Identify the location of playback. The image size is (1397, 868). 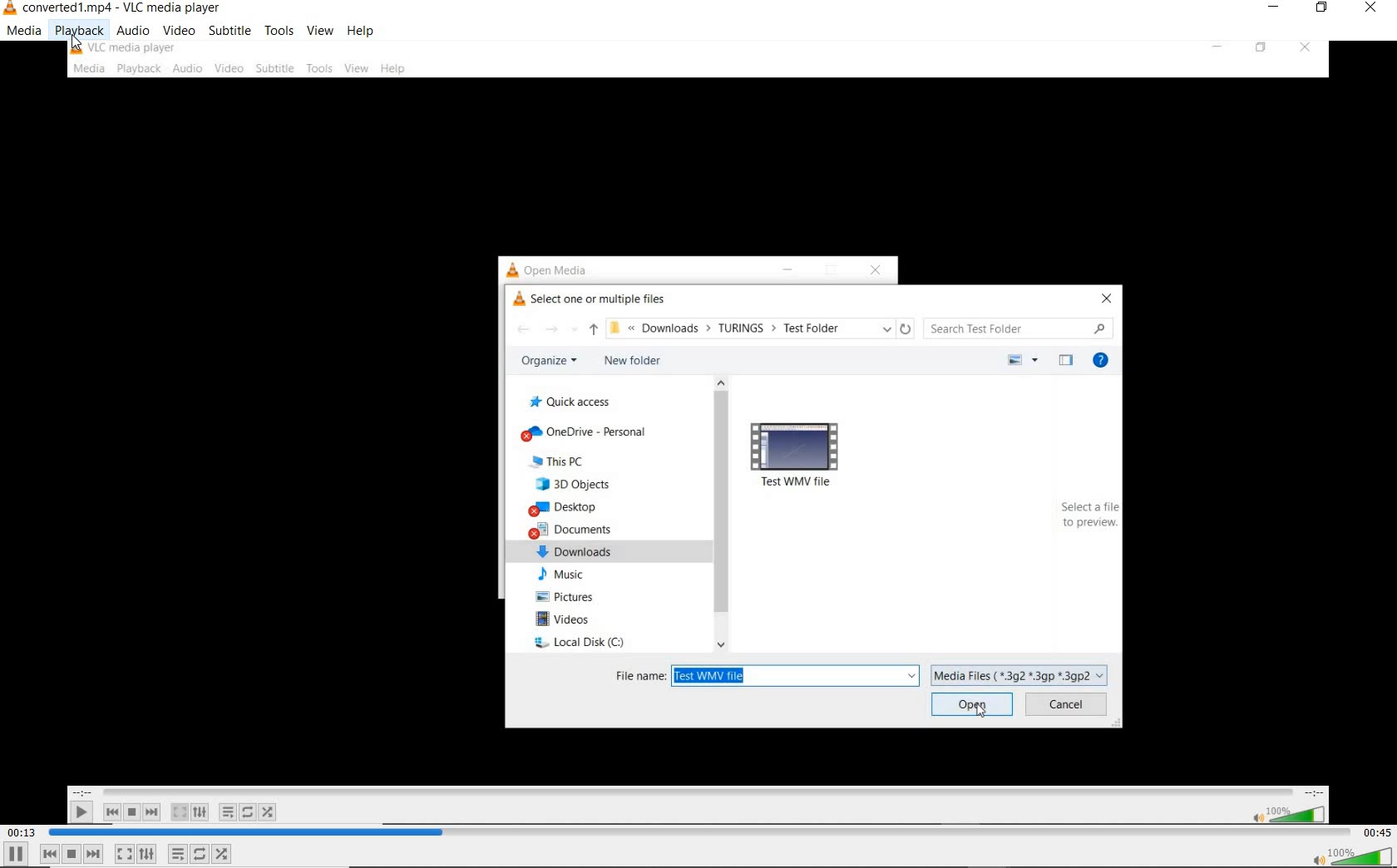
(79, 30).